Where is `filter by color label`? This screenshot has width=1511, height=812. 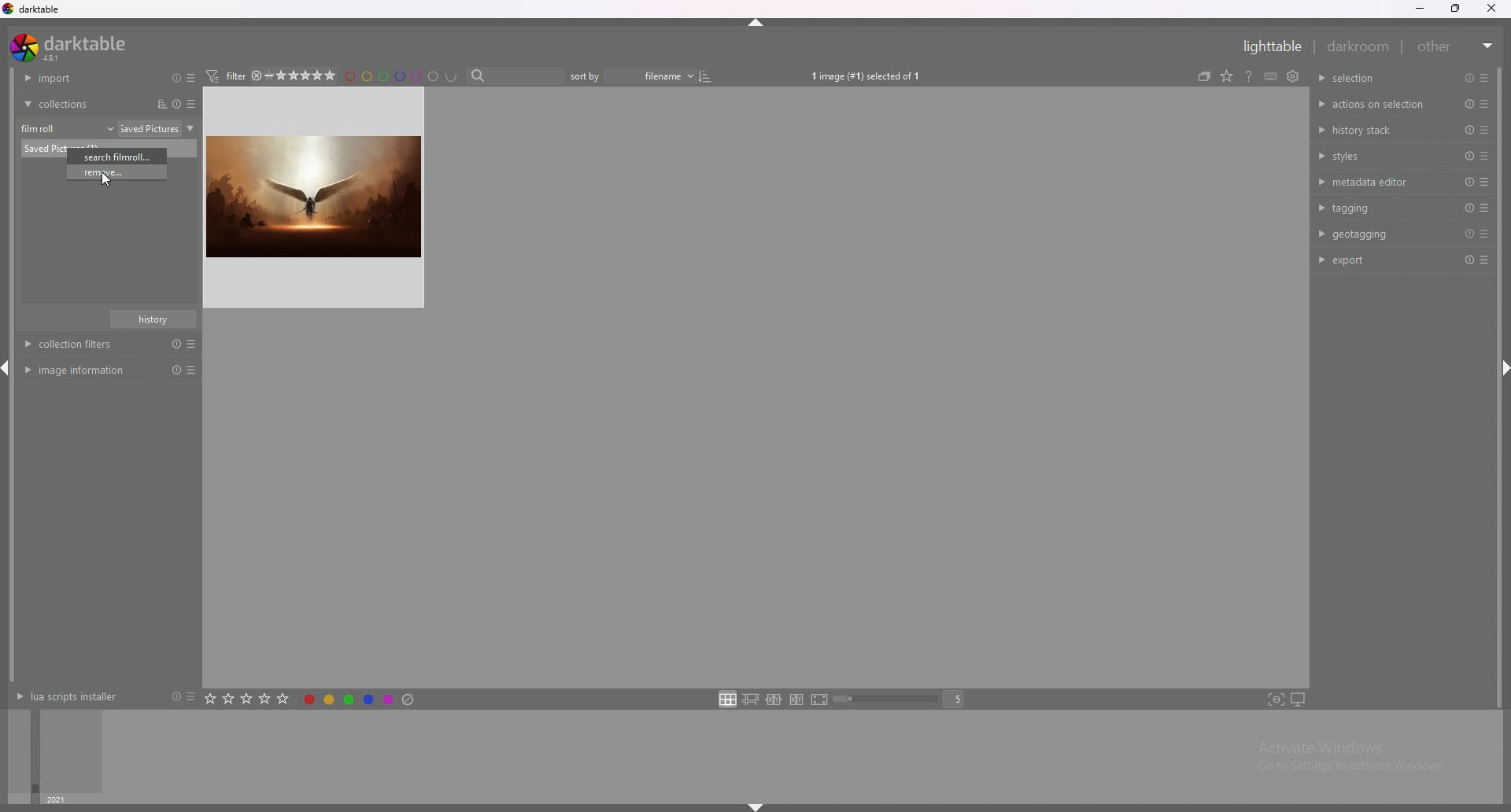
filter by color label is located at coordinates (406, 76).